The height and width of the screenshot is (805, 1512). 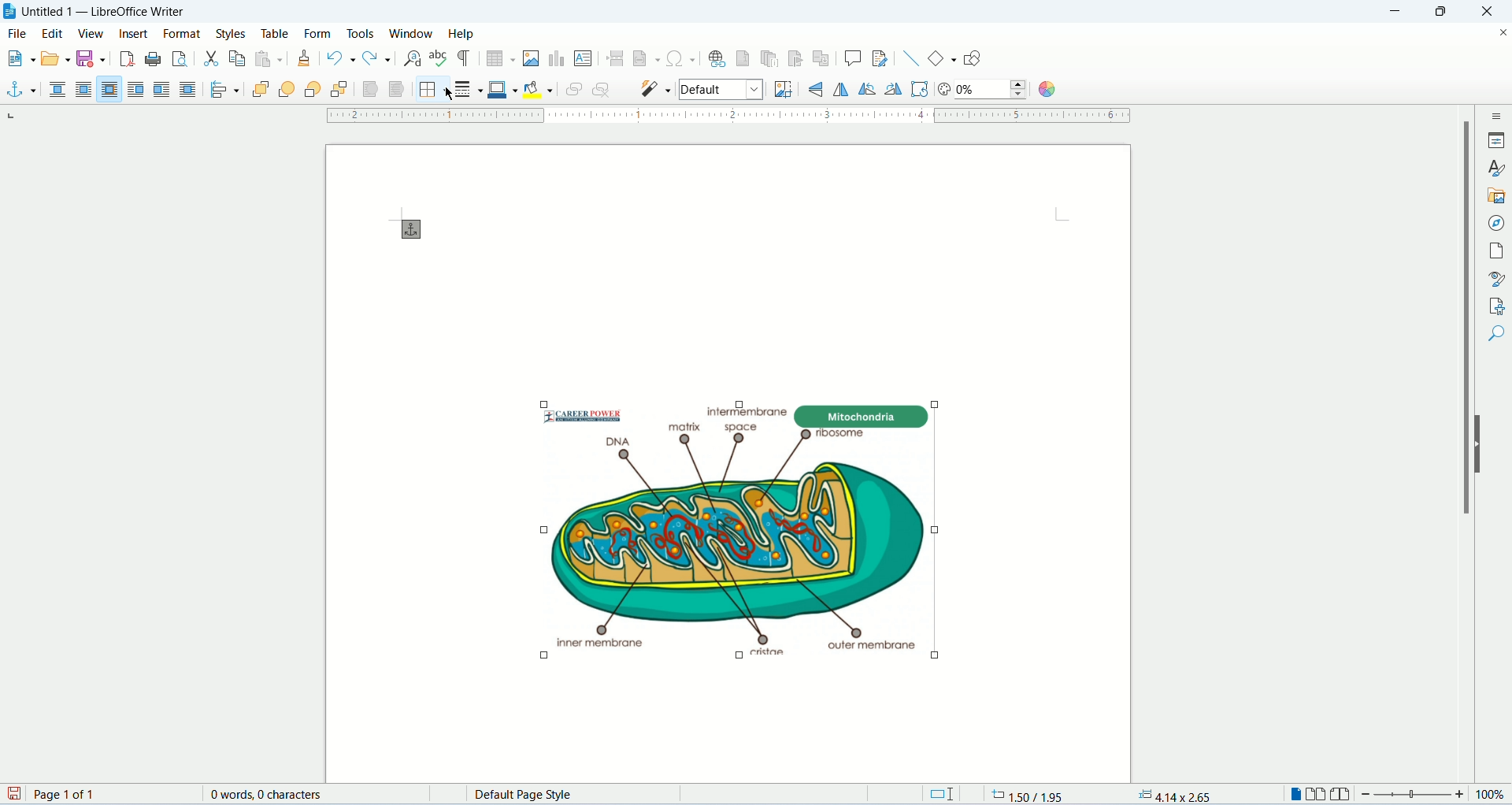 What do you see at coordinates (580, 795) in the screenshot?
I see `Default page style` at bounding box center [580, 795].